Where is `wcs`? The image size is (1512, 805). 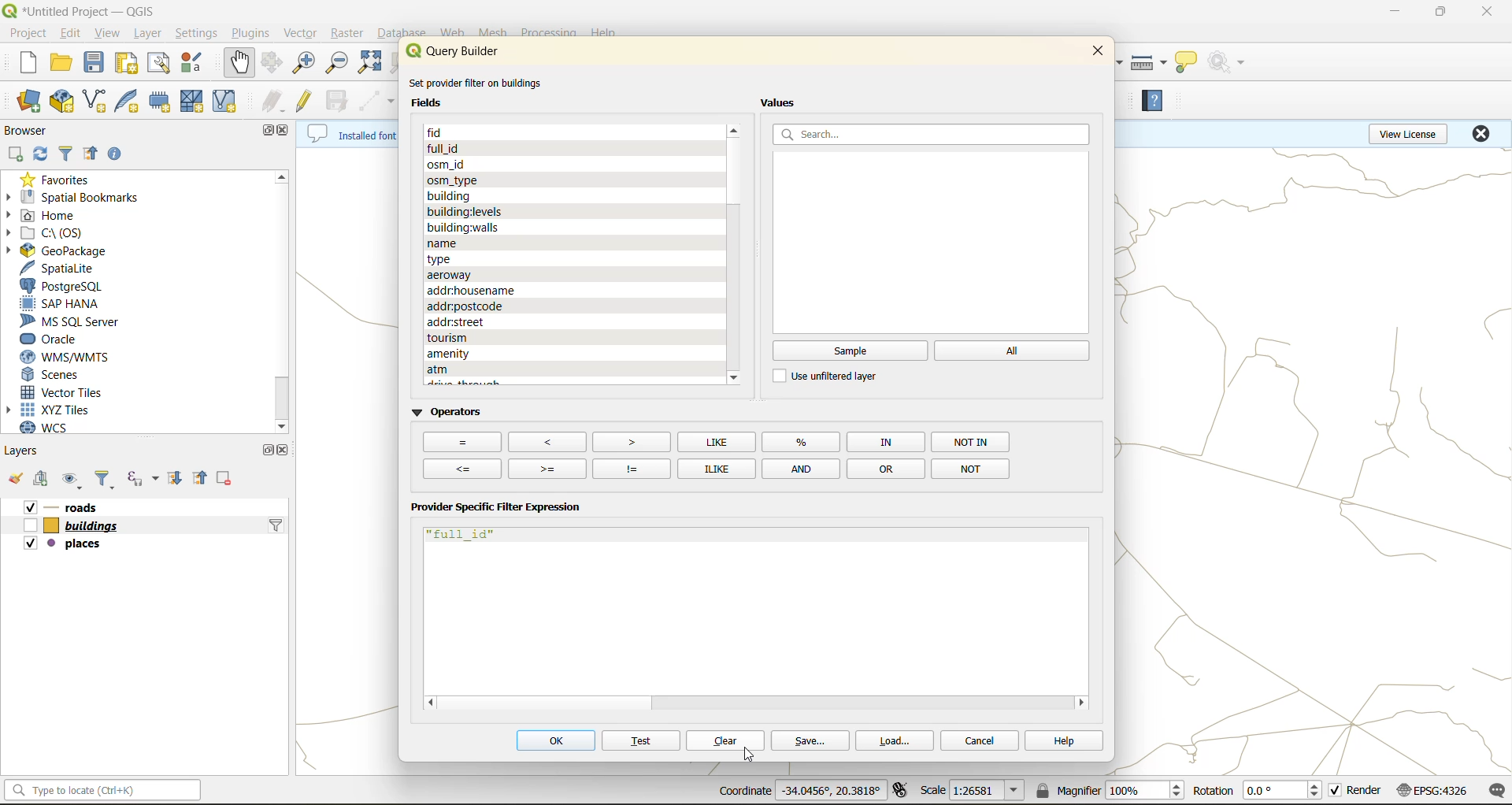 wcs is located at coordinates (55, 428).